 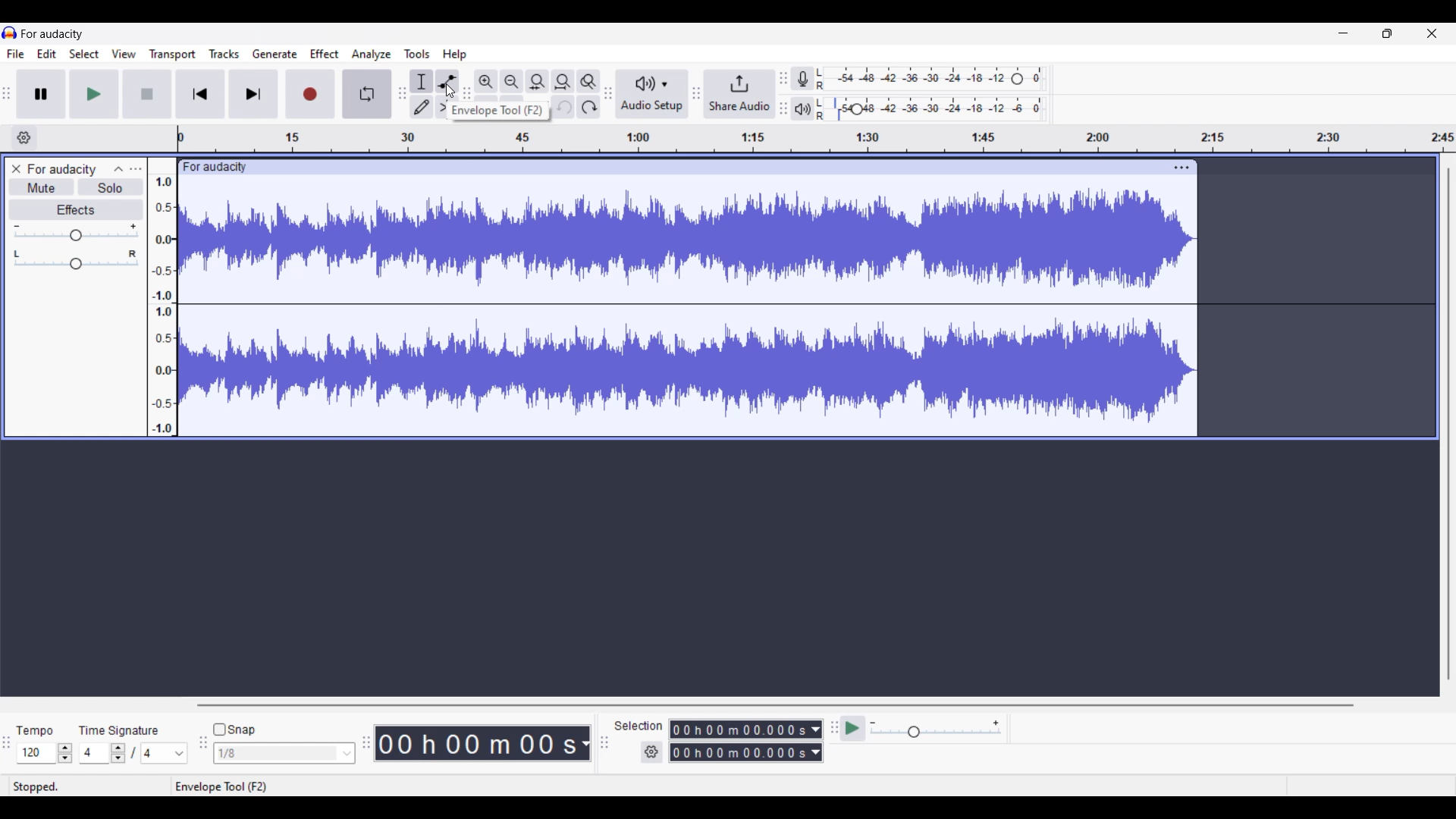 What do you see at coordinates (16, 54) in the screenshot?
I see `File` at bounding box center [16, 54].